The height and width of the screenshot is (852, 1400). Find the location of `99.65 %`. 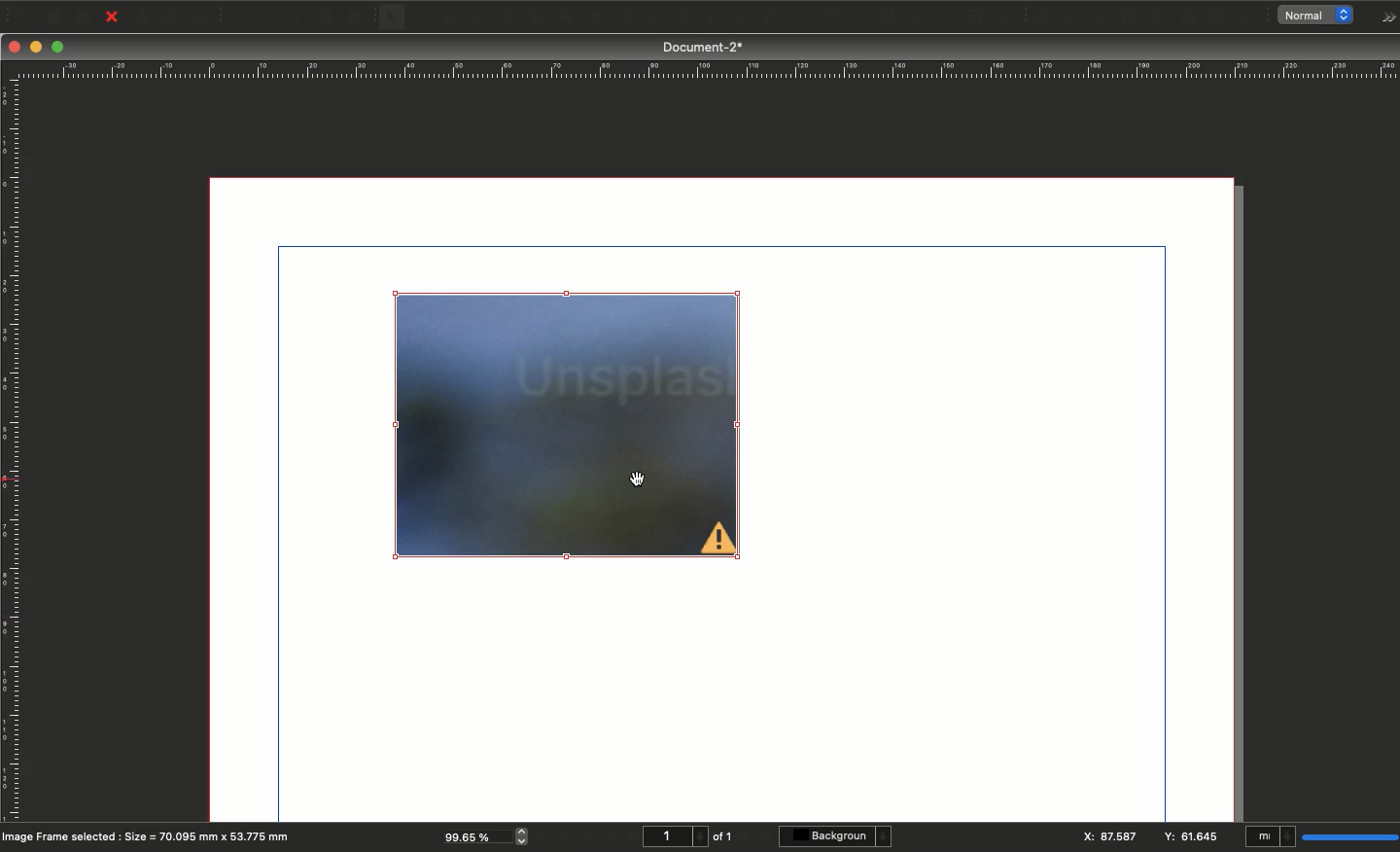

99.65 % is located at coordinates (472, 835).